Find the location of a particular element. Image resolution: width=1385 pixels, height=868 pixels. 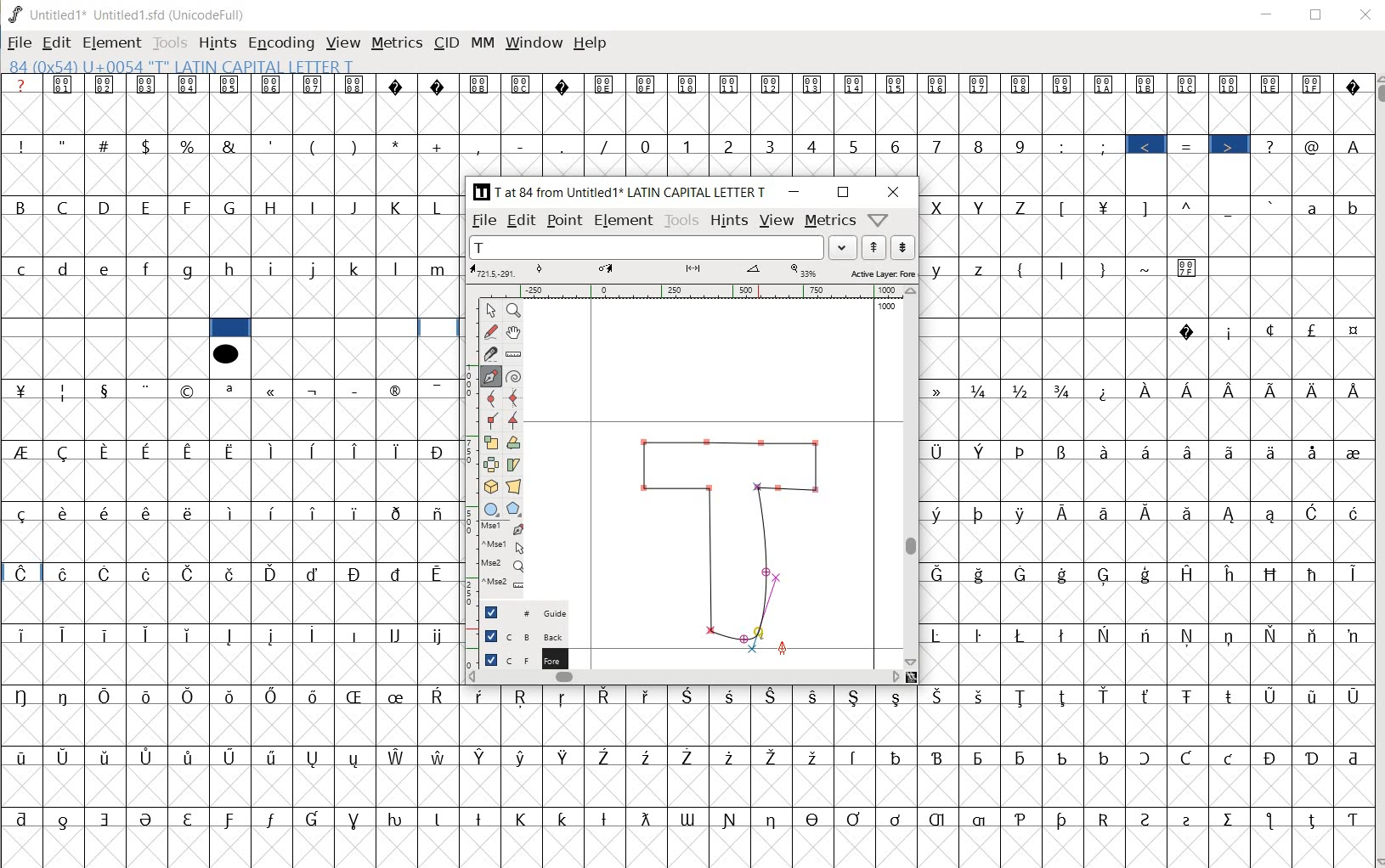

> is located at coordinates (1230, 146).